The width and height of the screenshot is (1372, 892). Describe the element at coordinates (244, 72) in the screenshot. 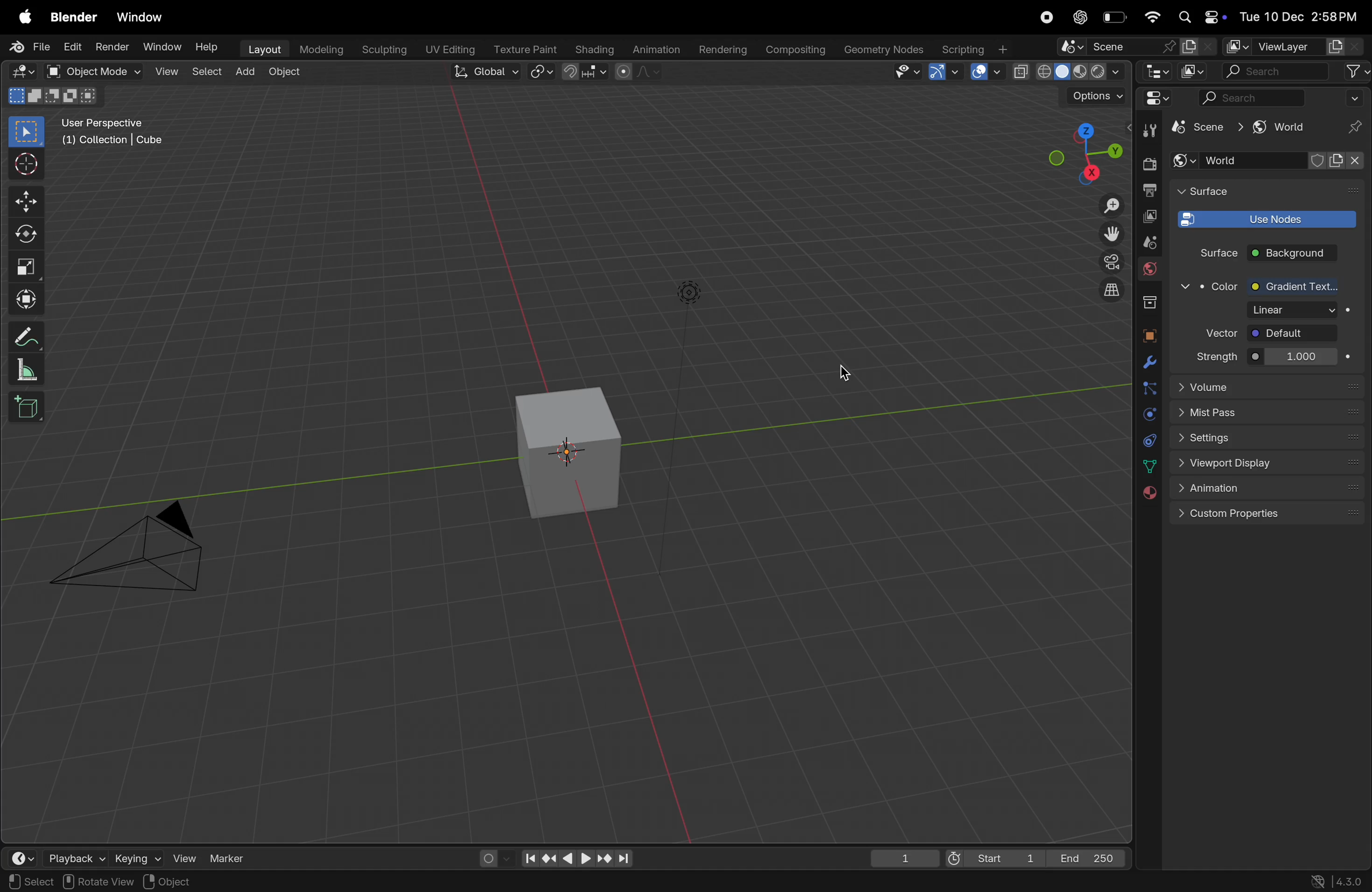

I see `add` at that location.